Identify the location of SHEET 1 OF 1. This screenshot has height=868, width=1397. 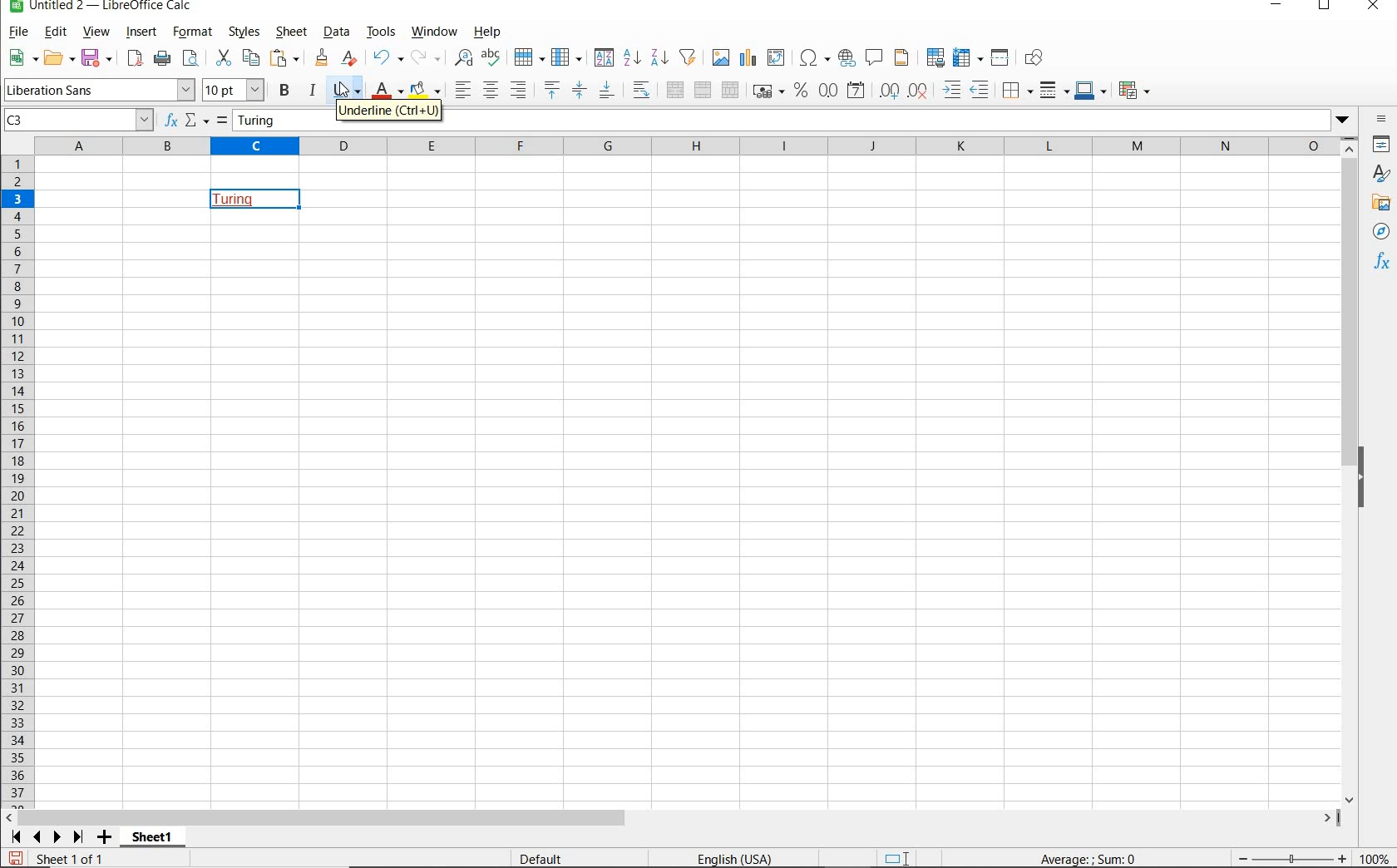
(71, 860).